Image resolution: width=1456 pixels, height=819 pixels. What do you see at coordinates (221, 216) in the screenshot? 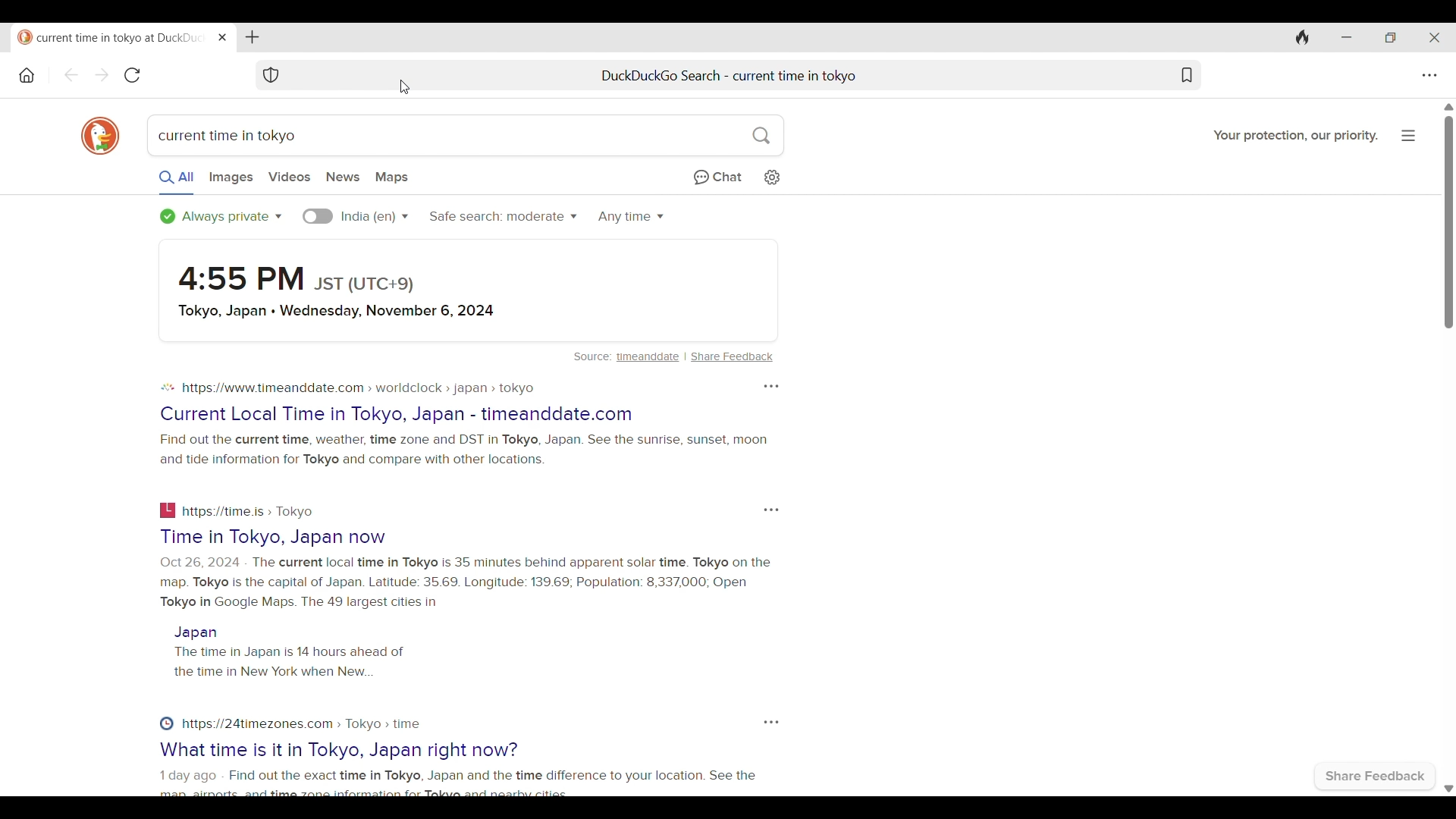
I see `Search privacy options` at bounding box center [221, 216].